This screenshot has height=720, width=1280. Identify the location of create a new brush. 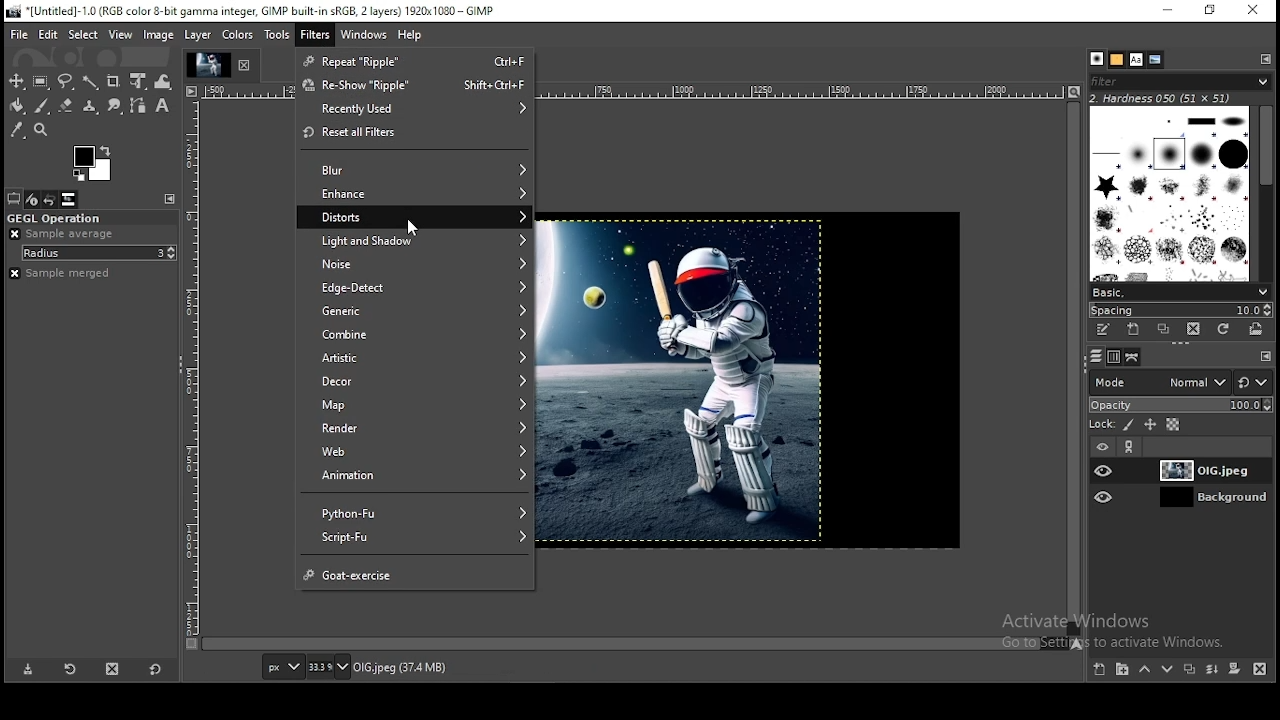
(1134, 330).